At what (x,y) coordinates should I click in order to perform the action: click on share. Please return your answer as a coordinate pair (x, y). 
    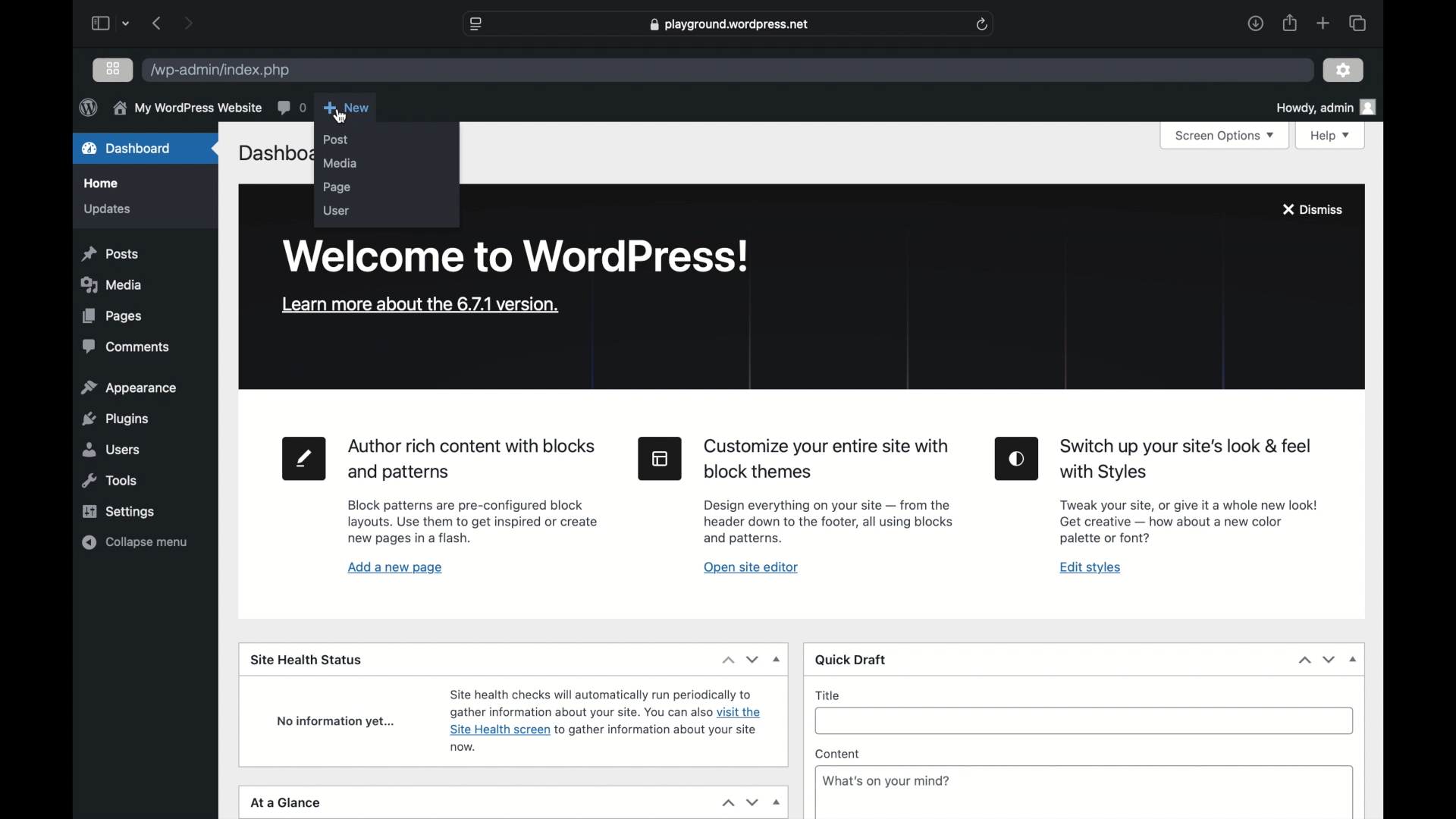
    Looking at the image, I should click on (1288, 23).